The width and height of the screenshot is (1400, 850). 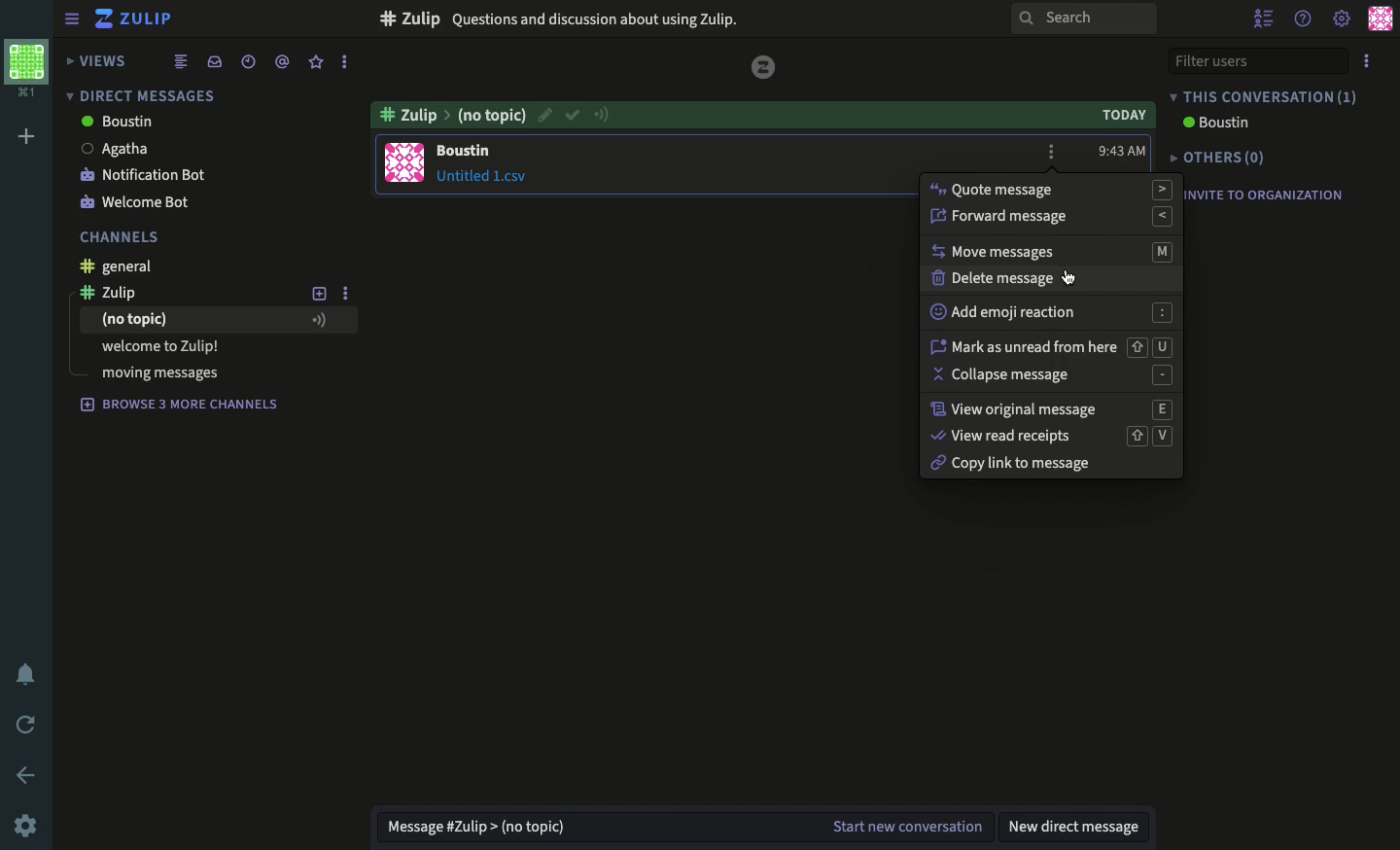 What do you see at coordinates (1119, 116) in the screenshot?
I see `today` at bounding box center [1119, 116].